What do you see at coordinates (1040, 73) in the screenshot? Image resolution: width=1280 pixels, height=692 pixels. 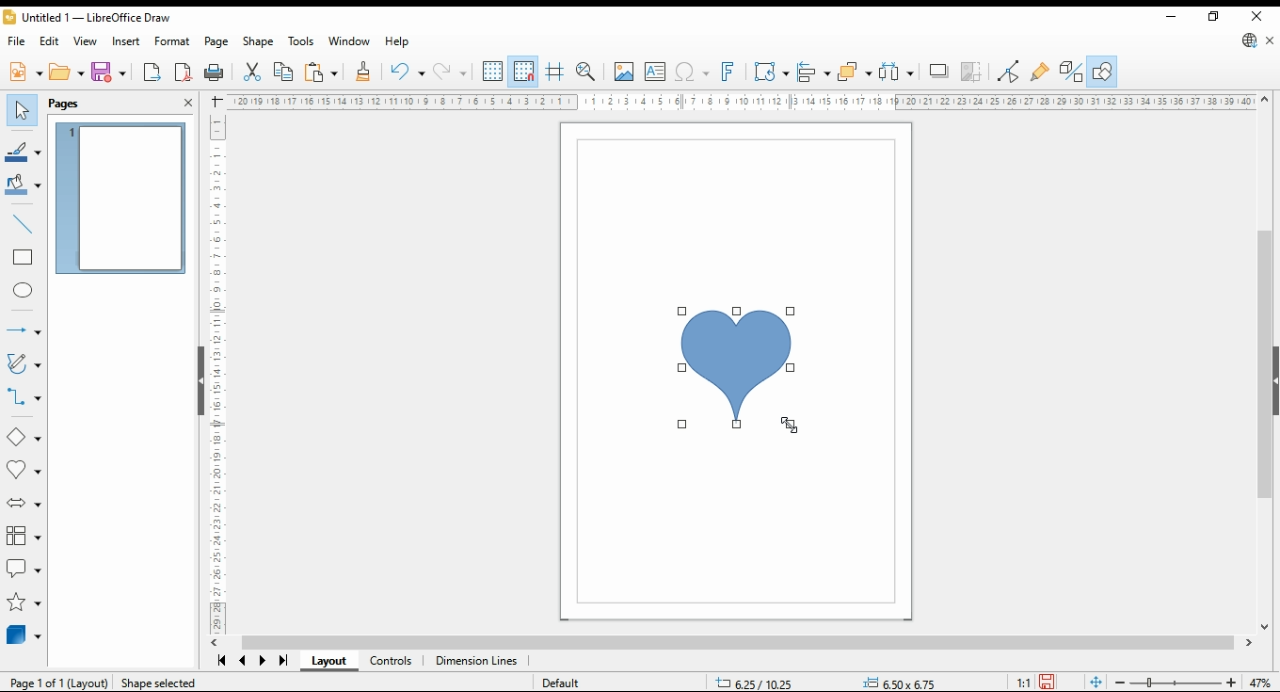 I see `show gluepoint functions` at bounding box center [1040, 73].